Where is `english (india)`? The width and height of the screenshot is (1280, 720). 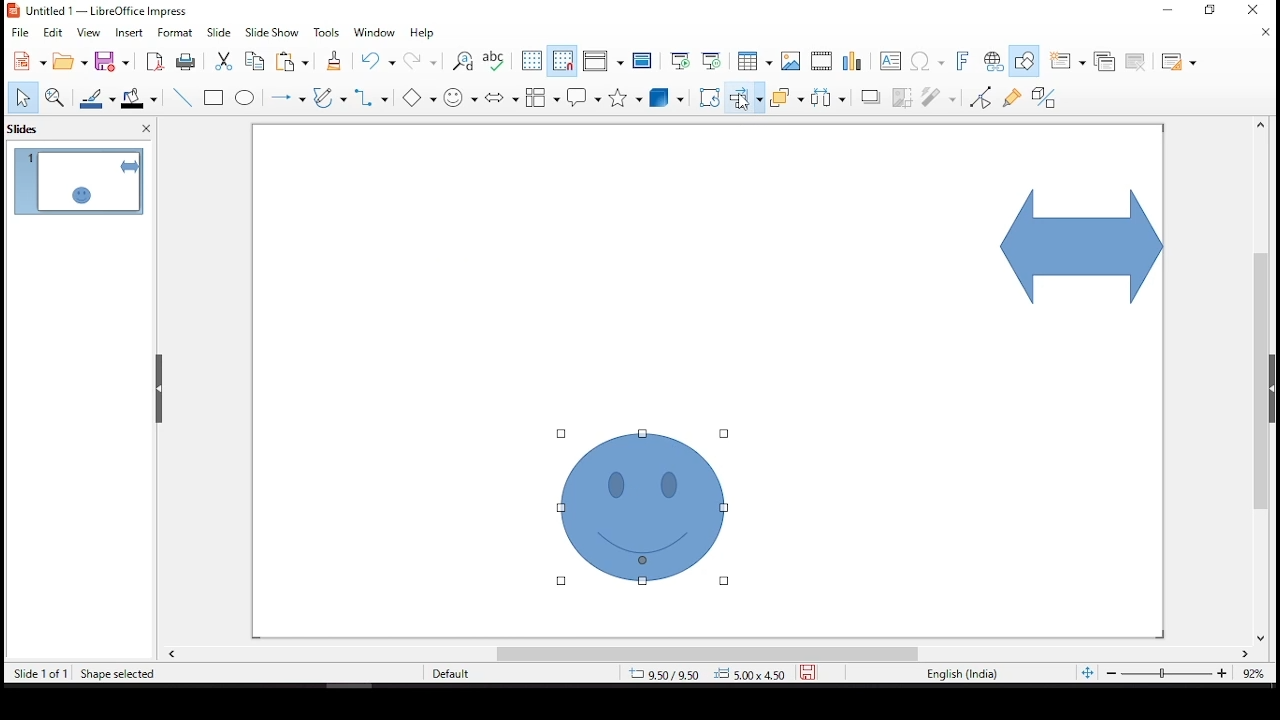 english (india) is located at coordinates (961, 672).